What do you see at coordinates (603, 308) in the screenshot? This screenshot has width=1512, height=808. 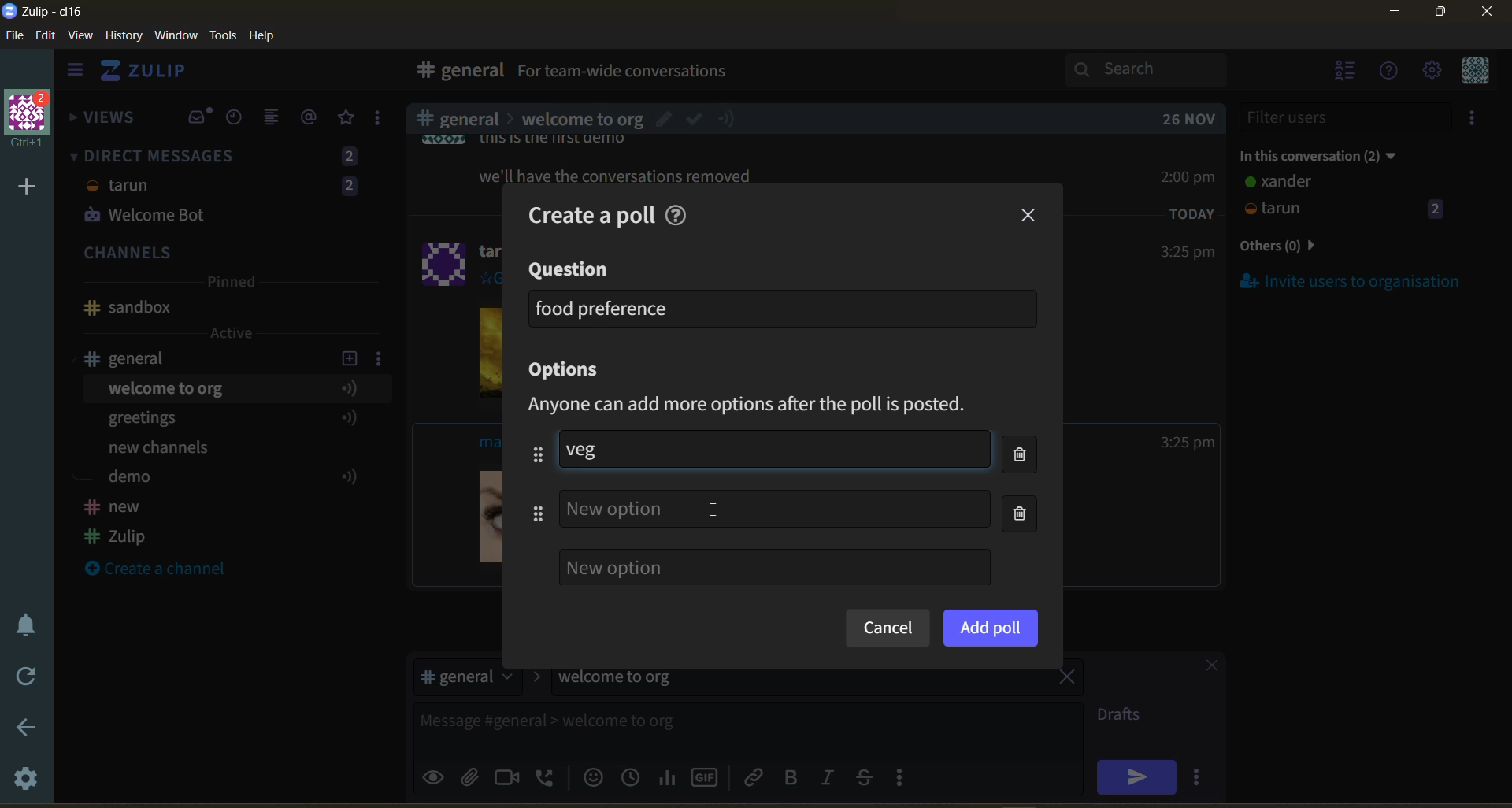 I see `food preference` at bounding box center [603, 308].